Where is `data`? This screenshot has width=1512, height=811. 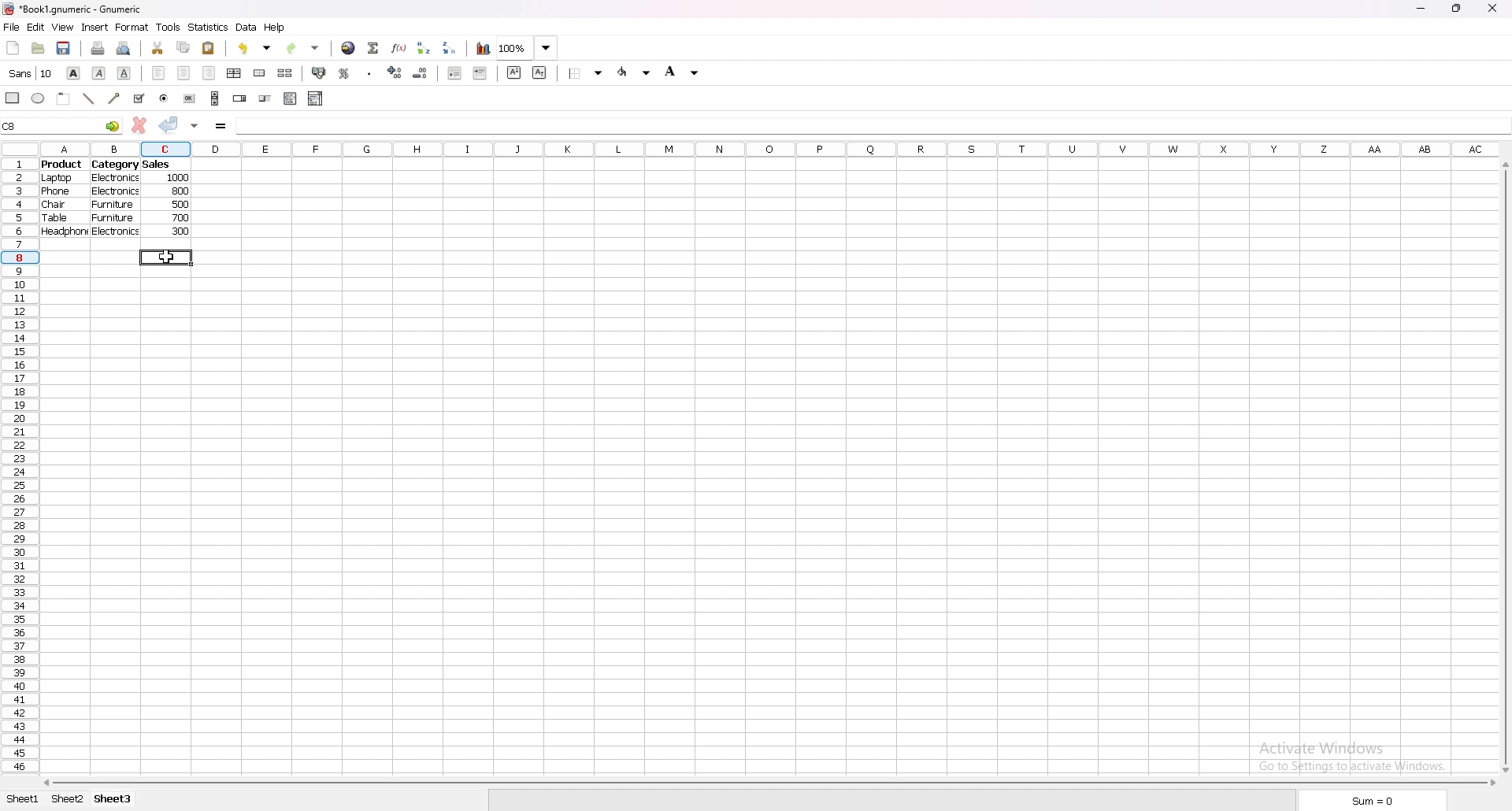 data is located at coordinates (246, 27).